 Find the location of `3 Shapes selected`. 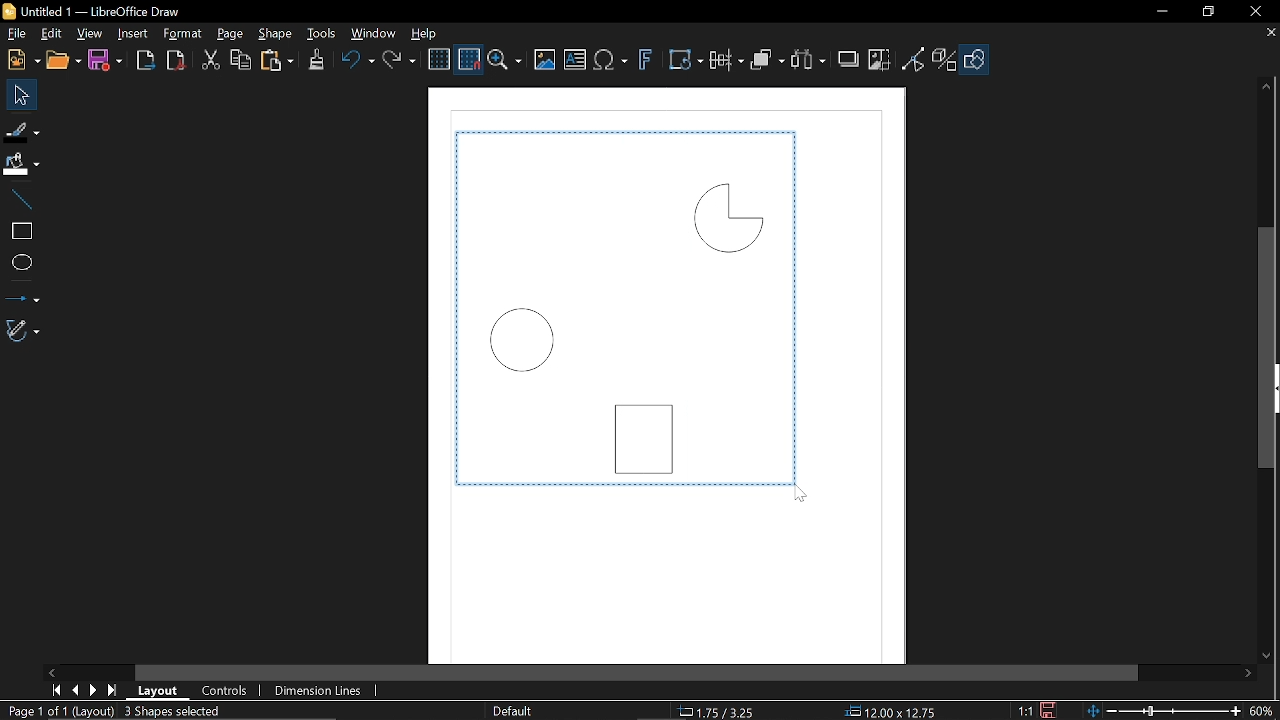

3 Shapes selected is located at coordinates (172, 710).